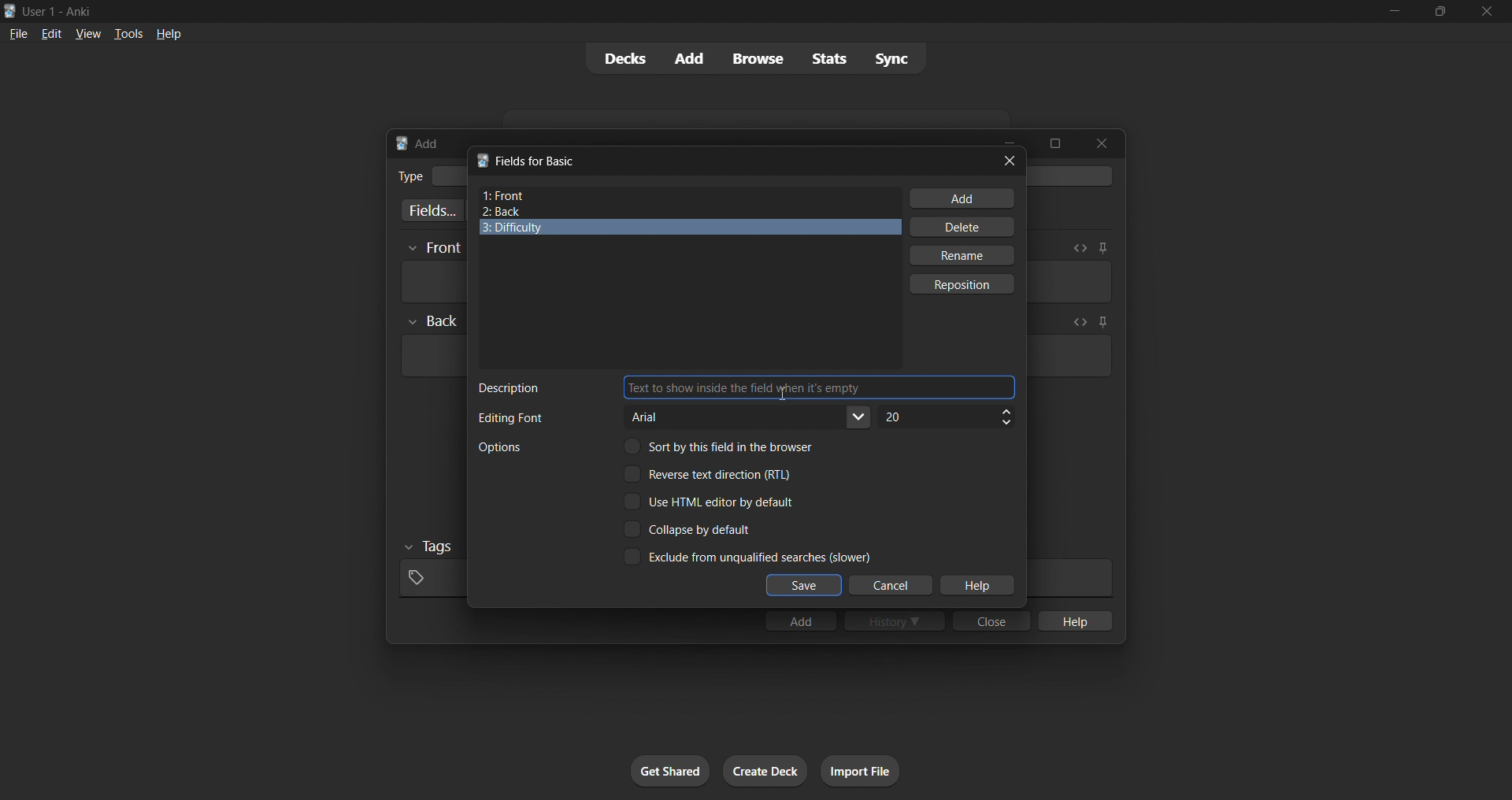  Describe the element at coordinates (828, 58) in the screenshot. I see `stats` at that location.